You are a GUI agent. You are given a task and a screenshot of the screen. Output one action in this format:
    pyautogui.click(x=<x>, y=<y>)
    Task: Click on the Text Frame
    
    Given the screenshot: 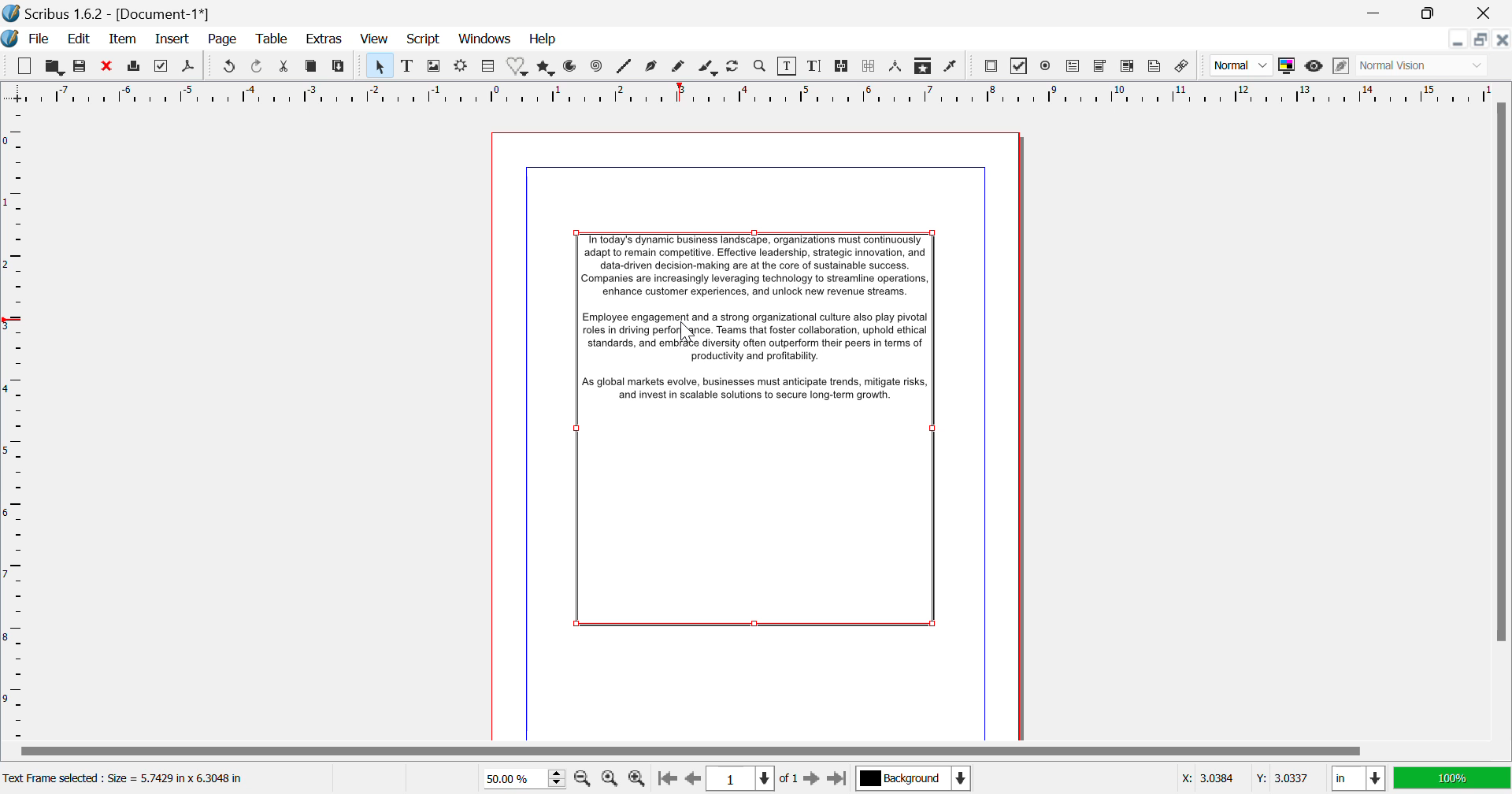 What is the action you would take?
    pyautogui.click(x=407, y=66)
    